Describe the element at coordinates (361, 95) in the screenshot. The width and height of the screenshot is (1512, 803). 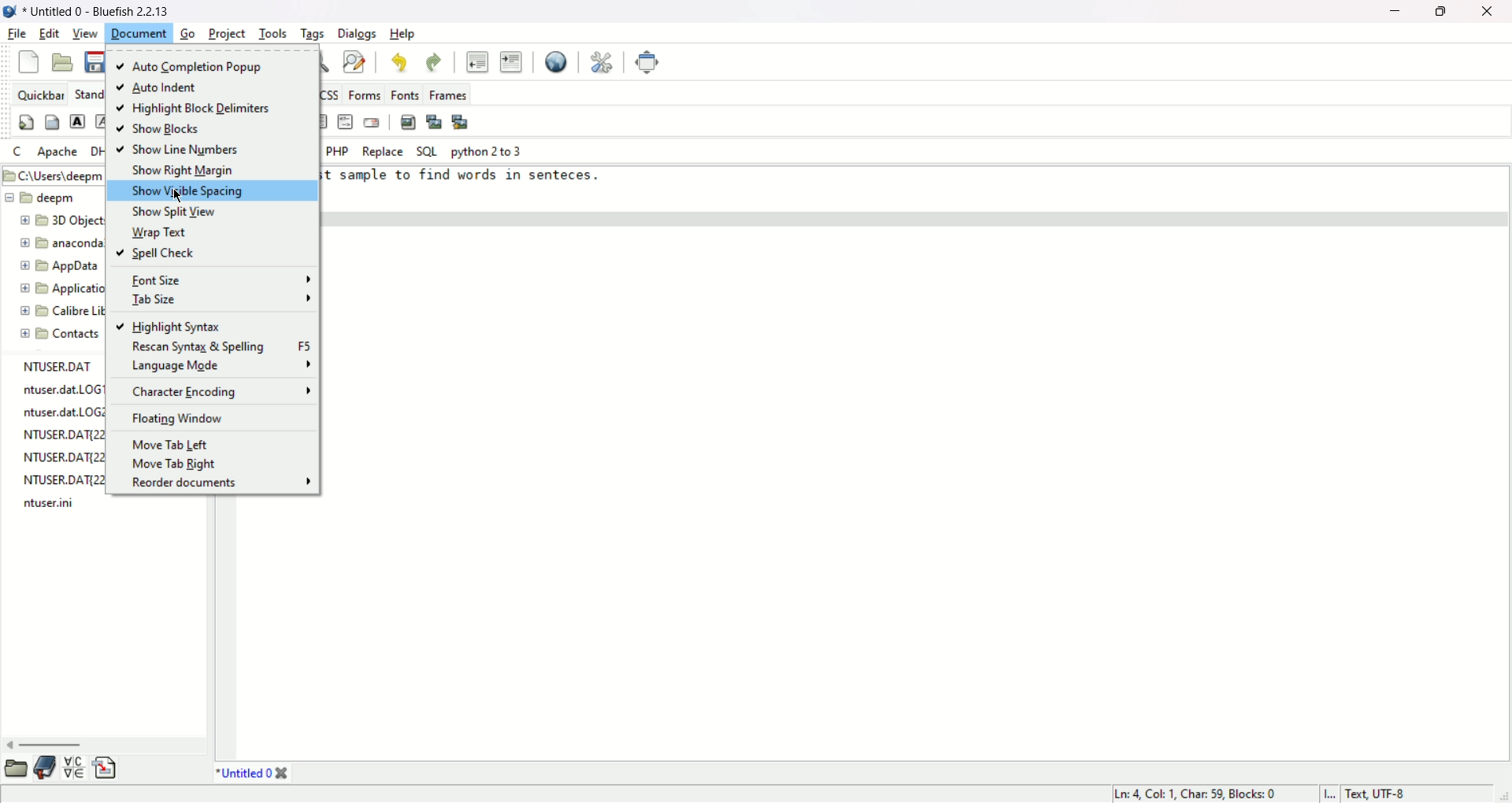
I see `forms` at that location.